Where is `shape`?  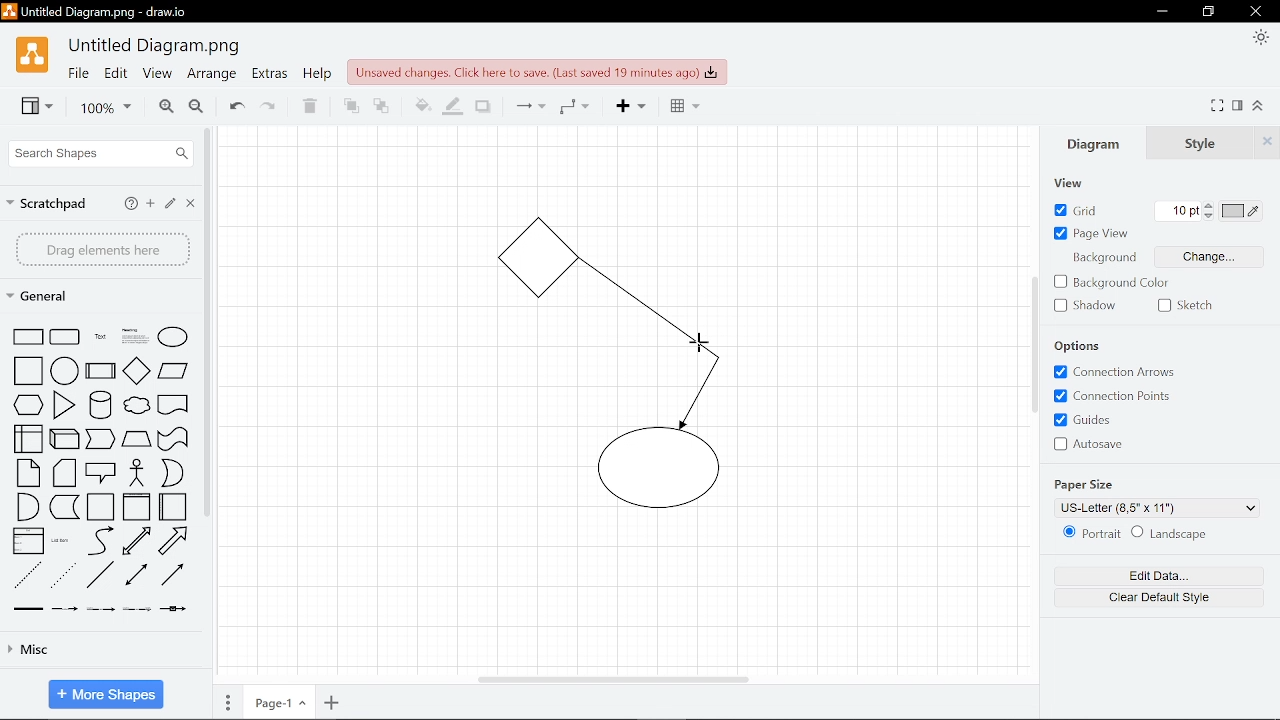
shape is located at coordinates (103, 472).